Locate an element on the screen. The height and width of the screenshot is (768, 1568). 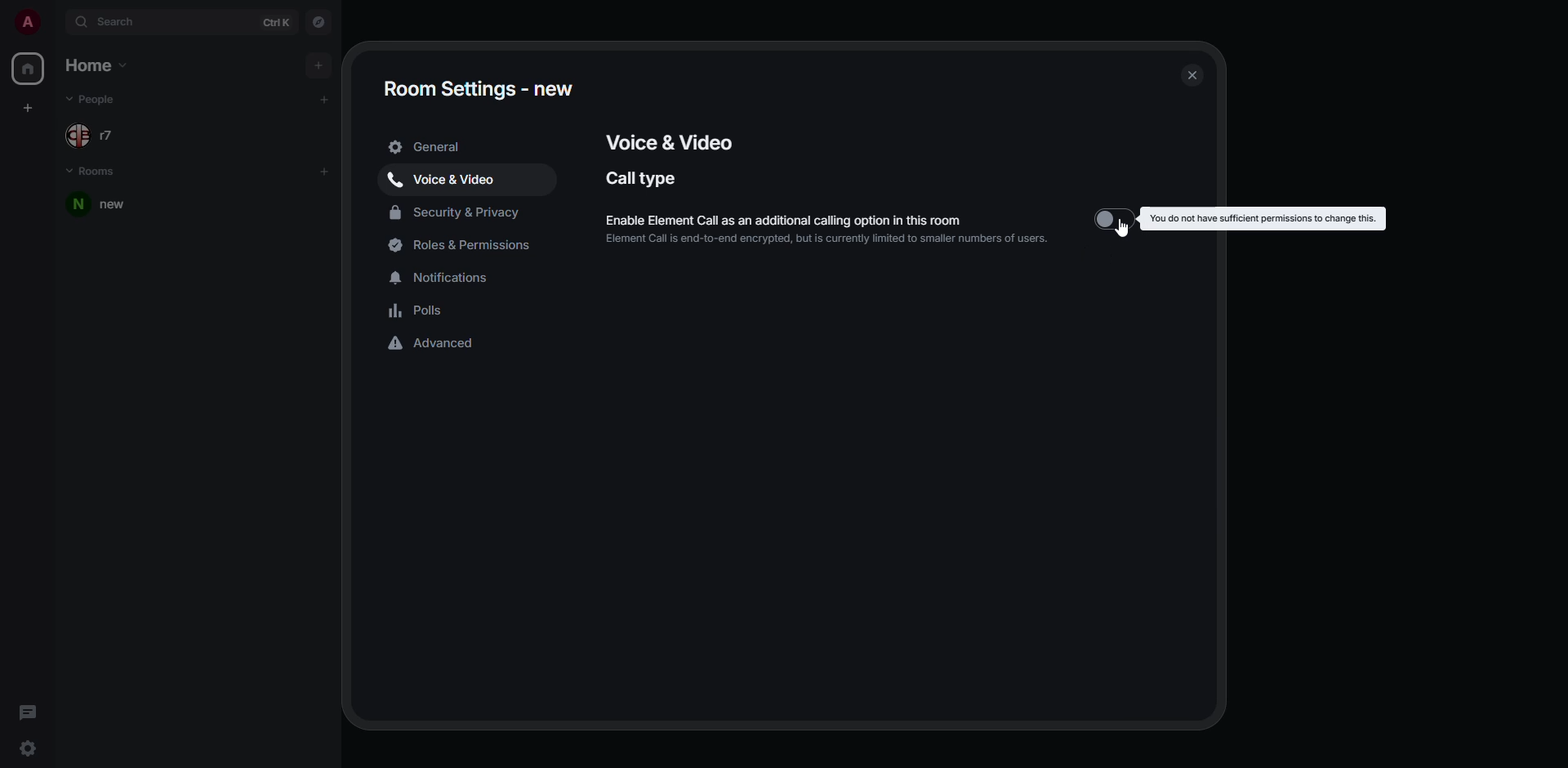
voice & video is located at coordinates (447, 181).